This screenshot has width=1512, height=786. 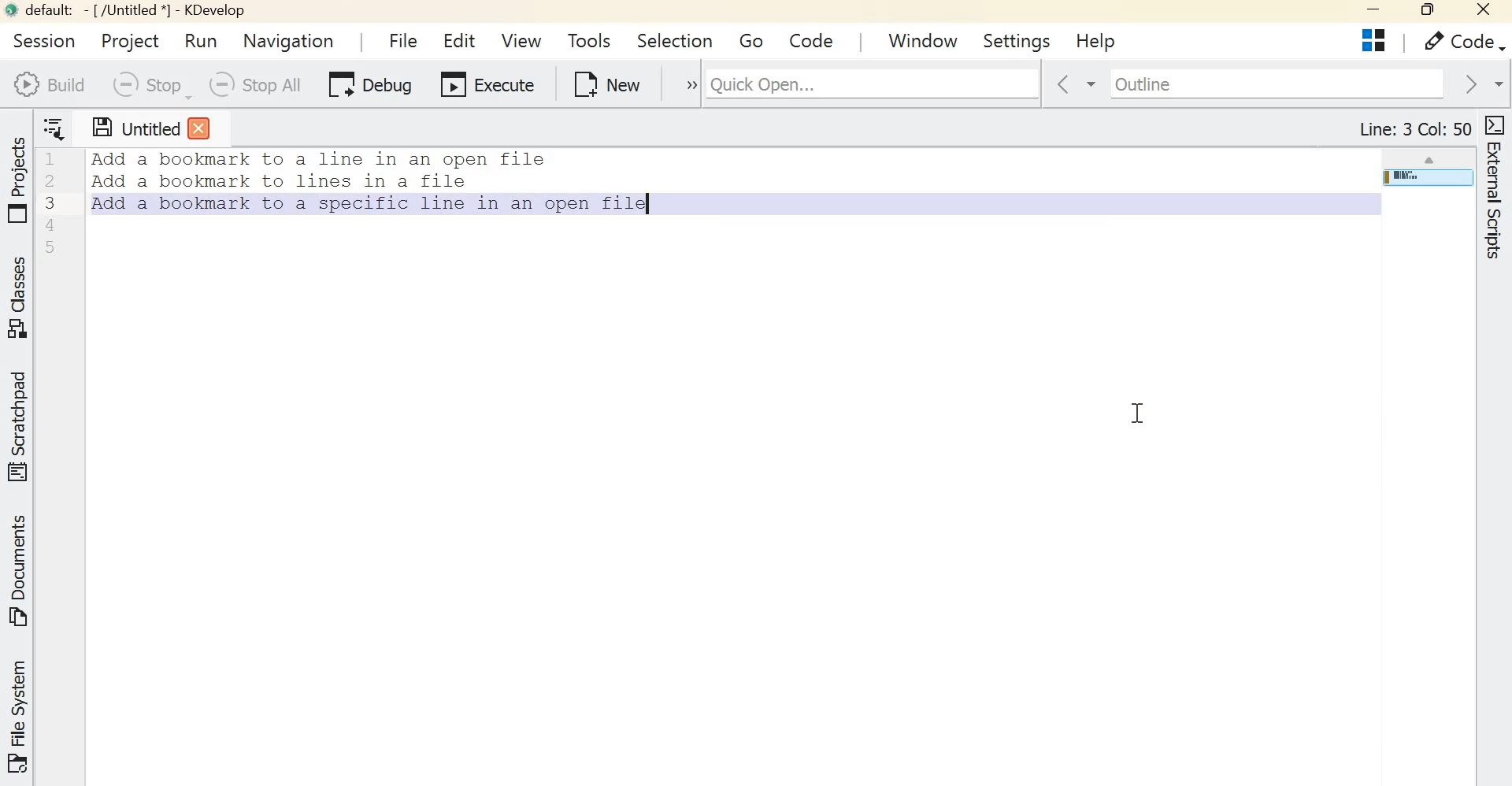 I want to click on go back in context history, so click(x=1072, y=83).